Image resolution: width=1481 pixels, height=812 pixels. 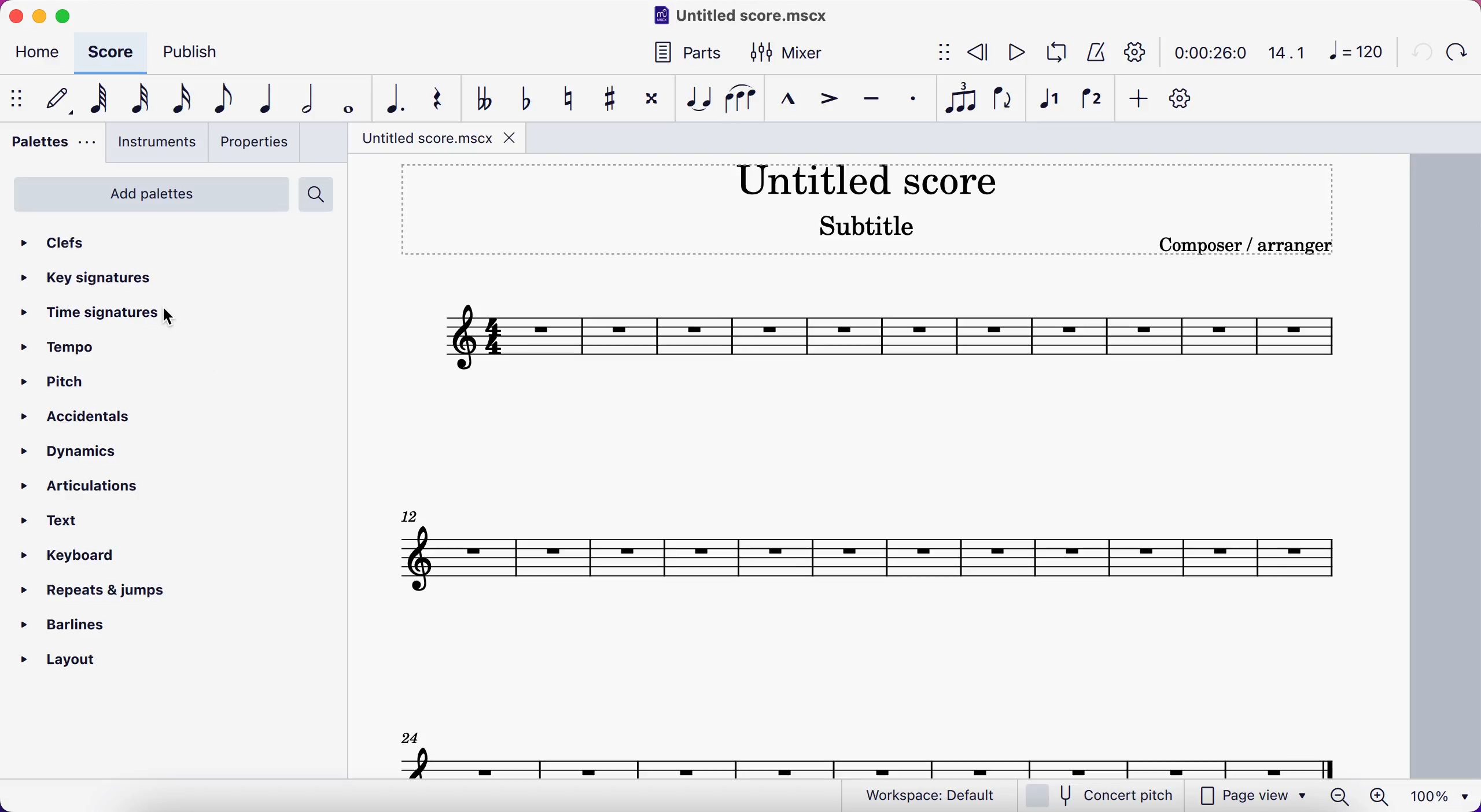 What do you see at coordinates (105, 486) in the screenshot?
I see `articulations` at bounding box center [105, 486].